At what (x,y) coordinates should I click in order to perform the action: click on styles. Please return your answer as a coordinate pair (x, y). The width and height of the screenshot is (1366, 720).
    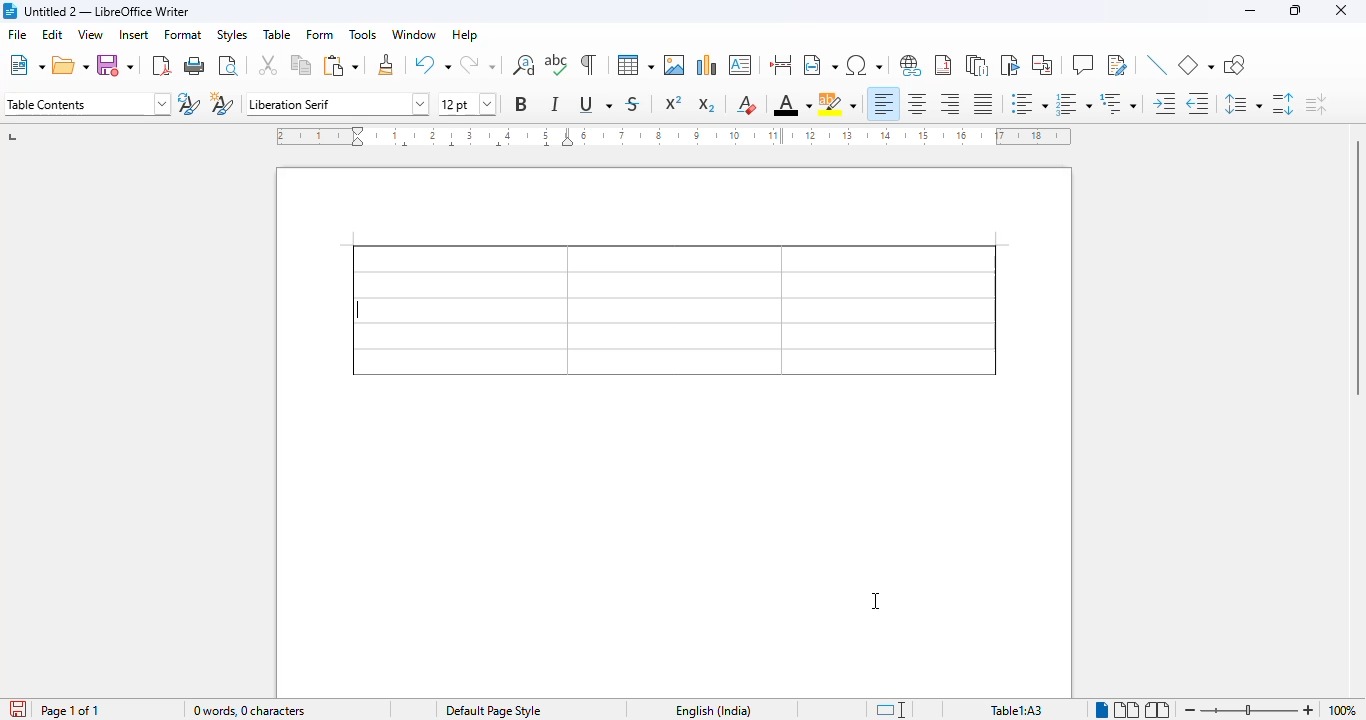
    Looking at the image, I should click on (232, 35).